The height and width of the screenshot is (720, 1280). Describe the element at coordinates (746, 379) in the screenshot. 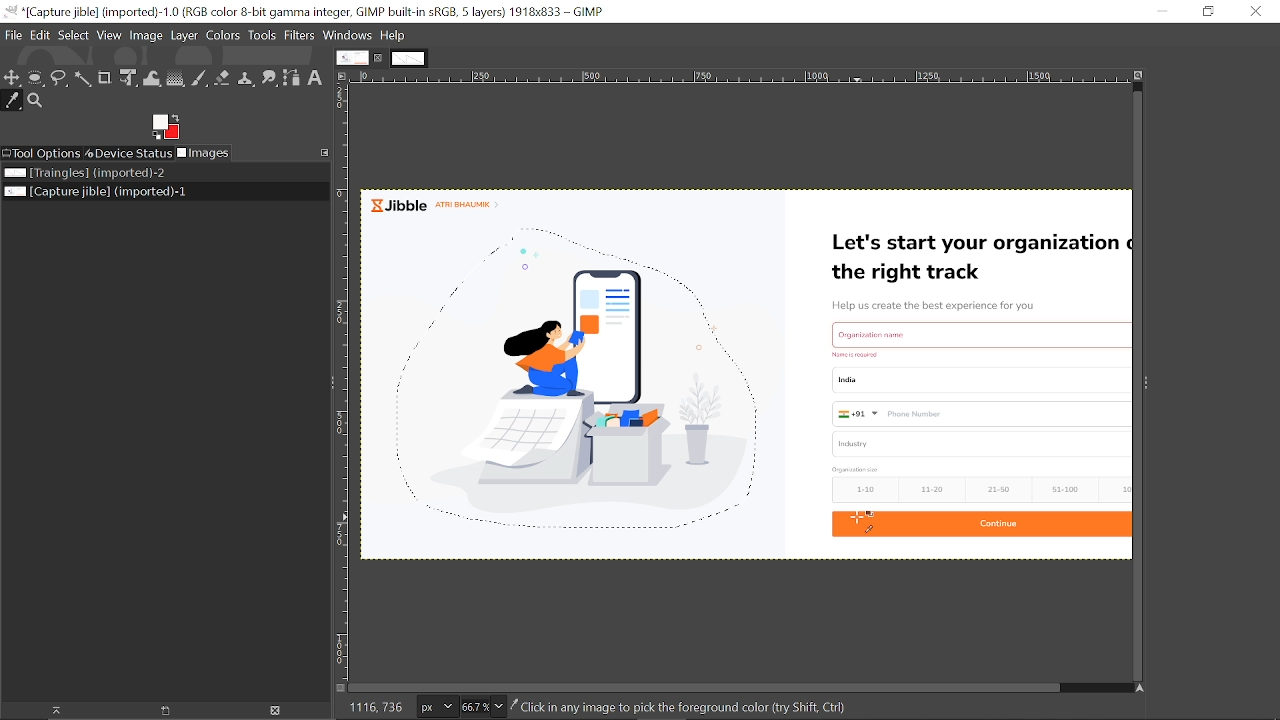

I see `Current image` at that location.